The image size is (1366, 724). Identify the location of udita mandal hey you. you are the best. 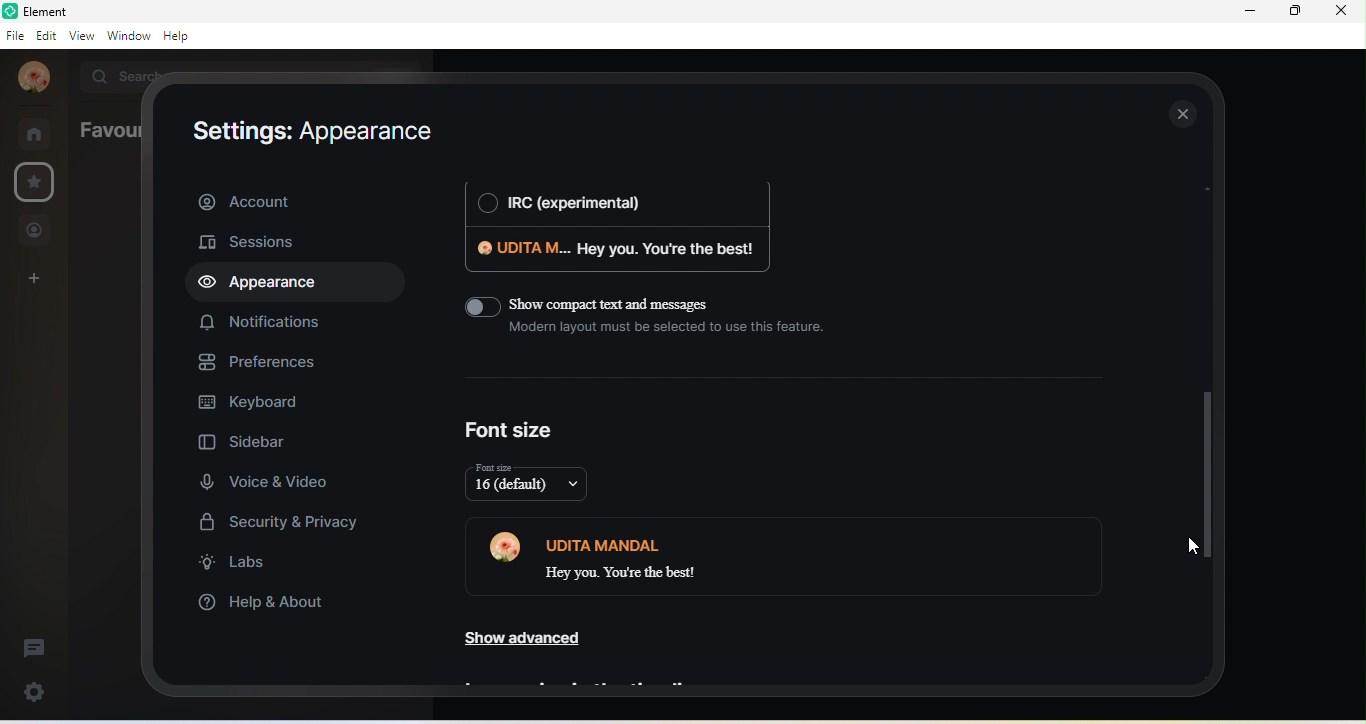
(735, 556).